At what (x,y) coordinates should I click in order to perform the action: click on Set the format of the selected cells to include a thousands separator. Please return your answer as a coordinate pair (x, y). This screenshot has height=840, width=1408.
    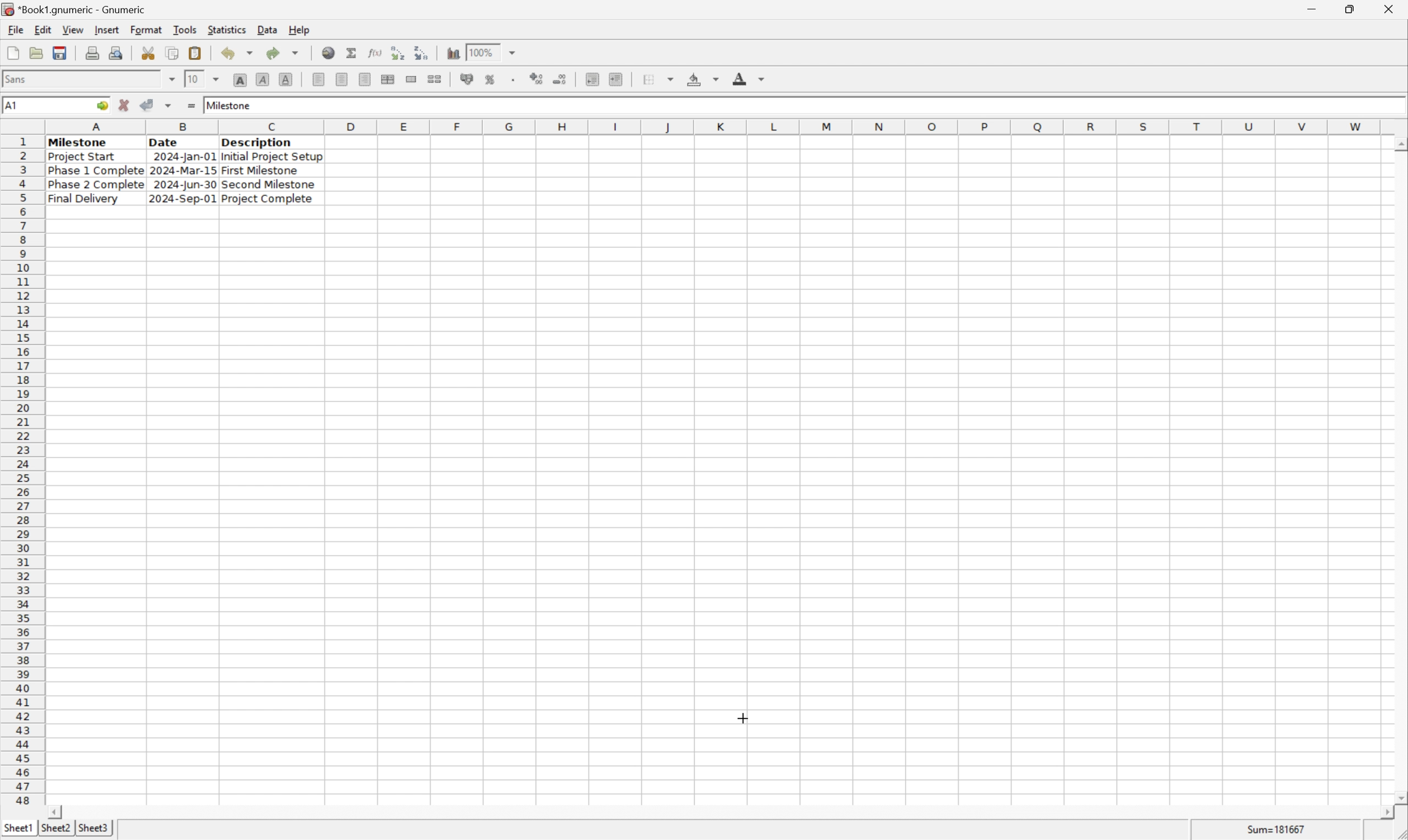
    Looking at the image, I should click on (516, 79).